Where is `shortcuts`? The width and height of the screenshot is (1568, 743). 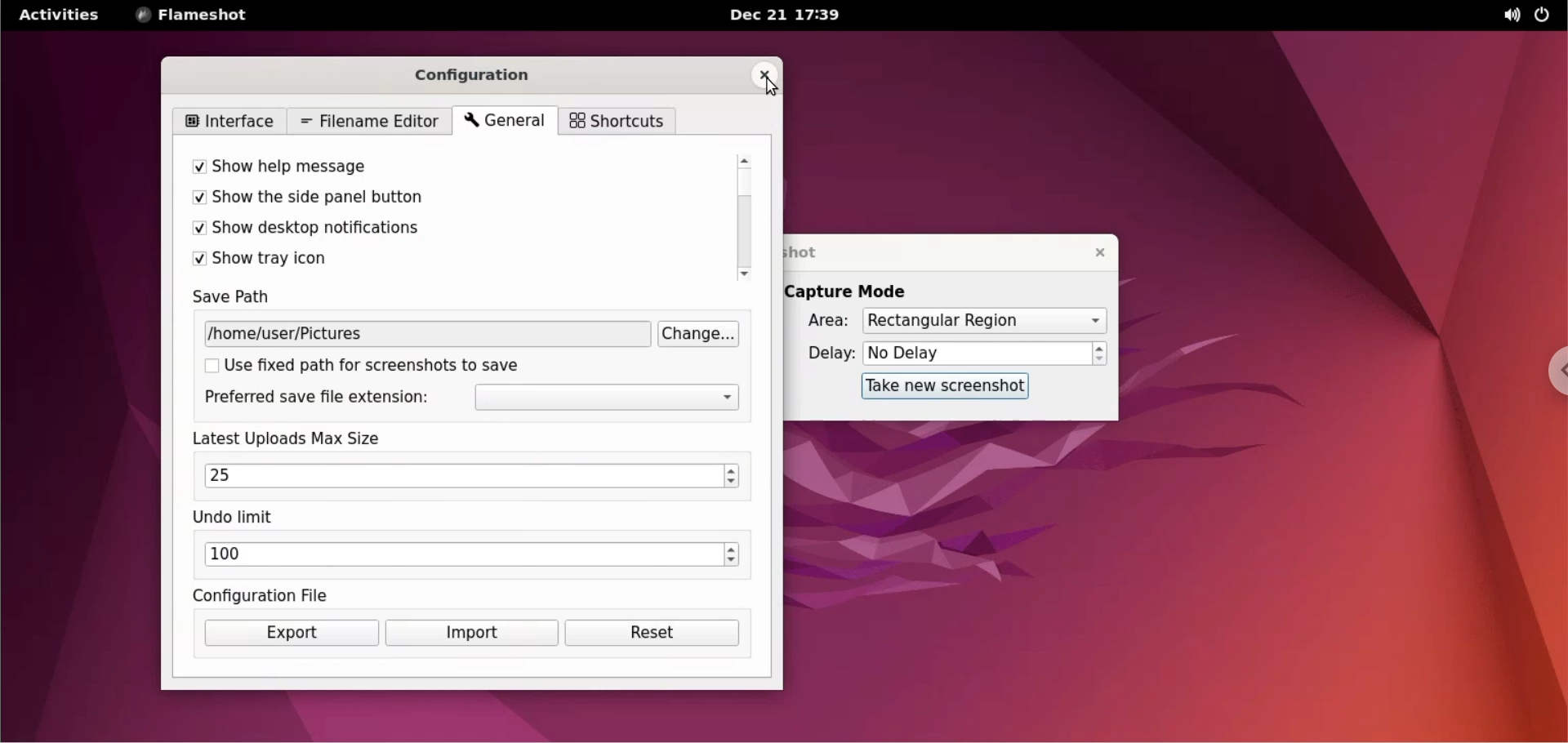 shortcuts is located at coordinates (616, 122).